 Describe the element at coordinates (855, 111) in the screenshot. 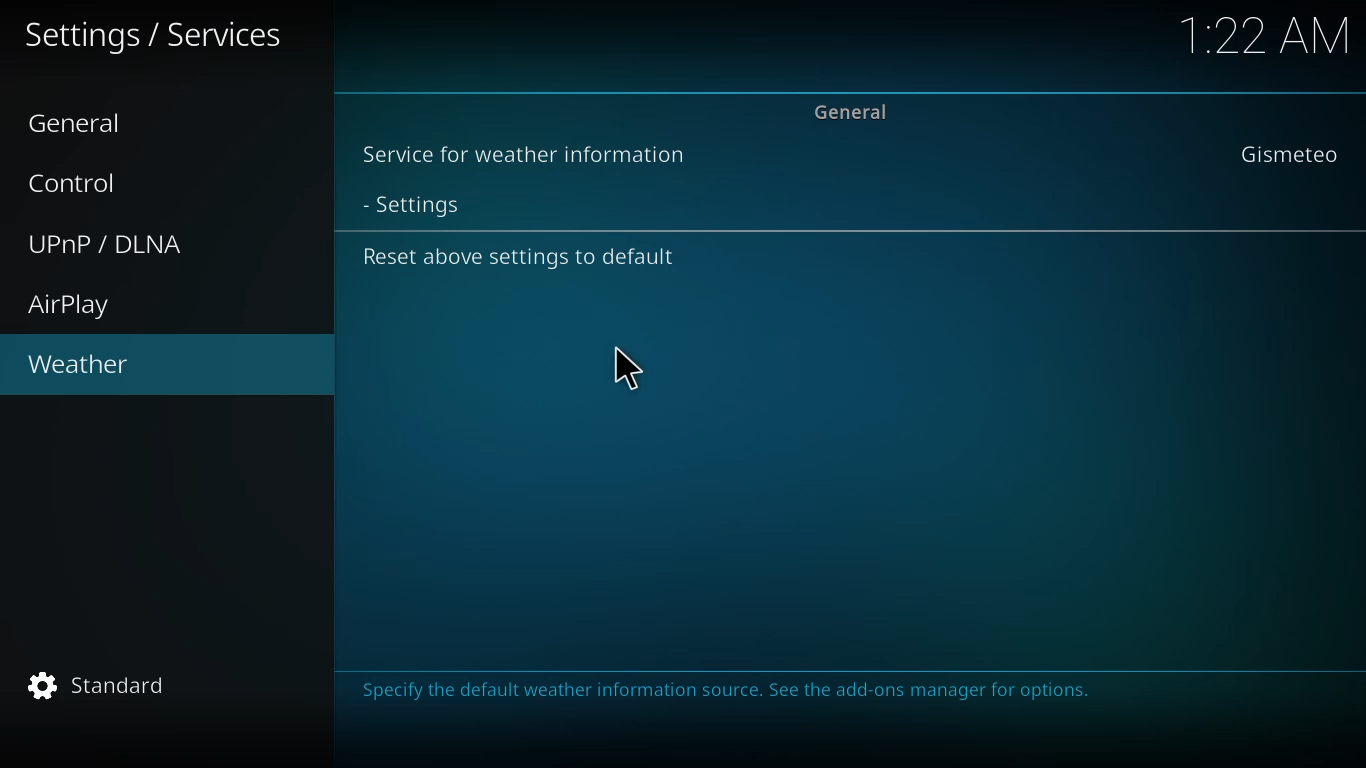

I see `general` at that location.